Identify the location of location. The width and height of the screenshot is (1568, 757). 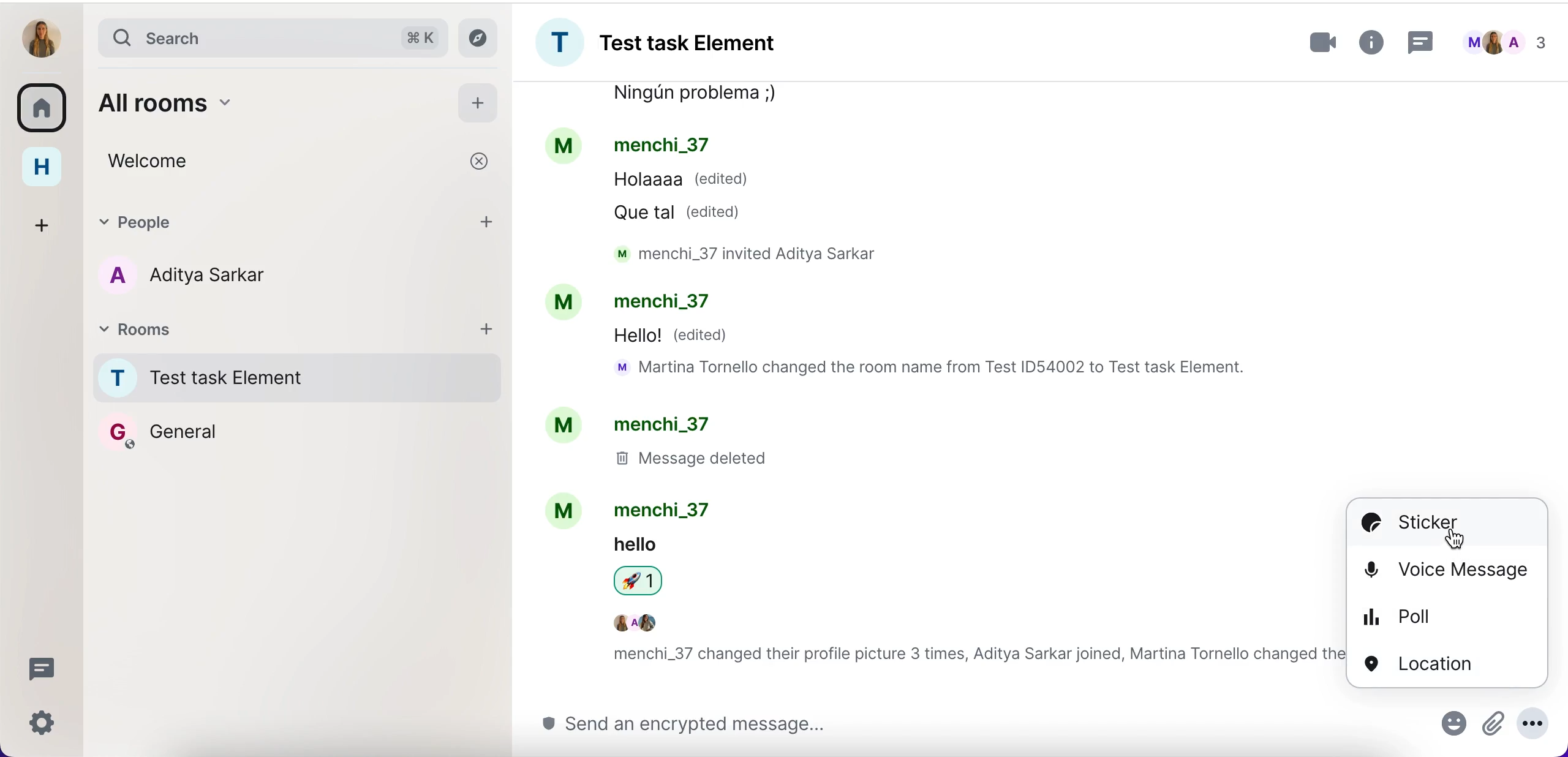
(1449, 662).